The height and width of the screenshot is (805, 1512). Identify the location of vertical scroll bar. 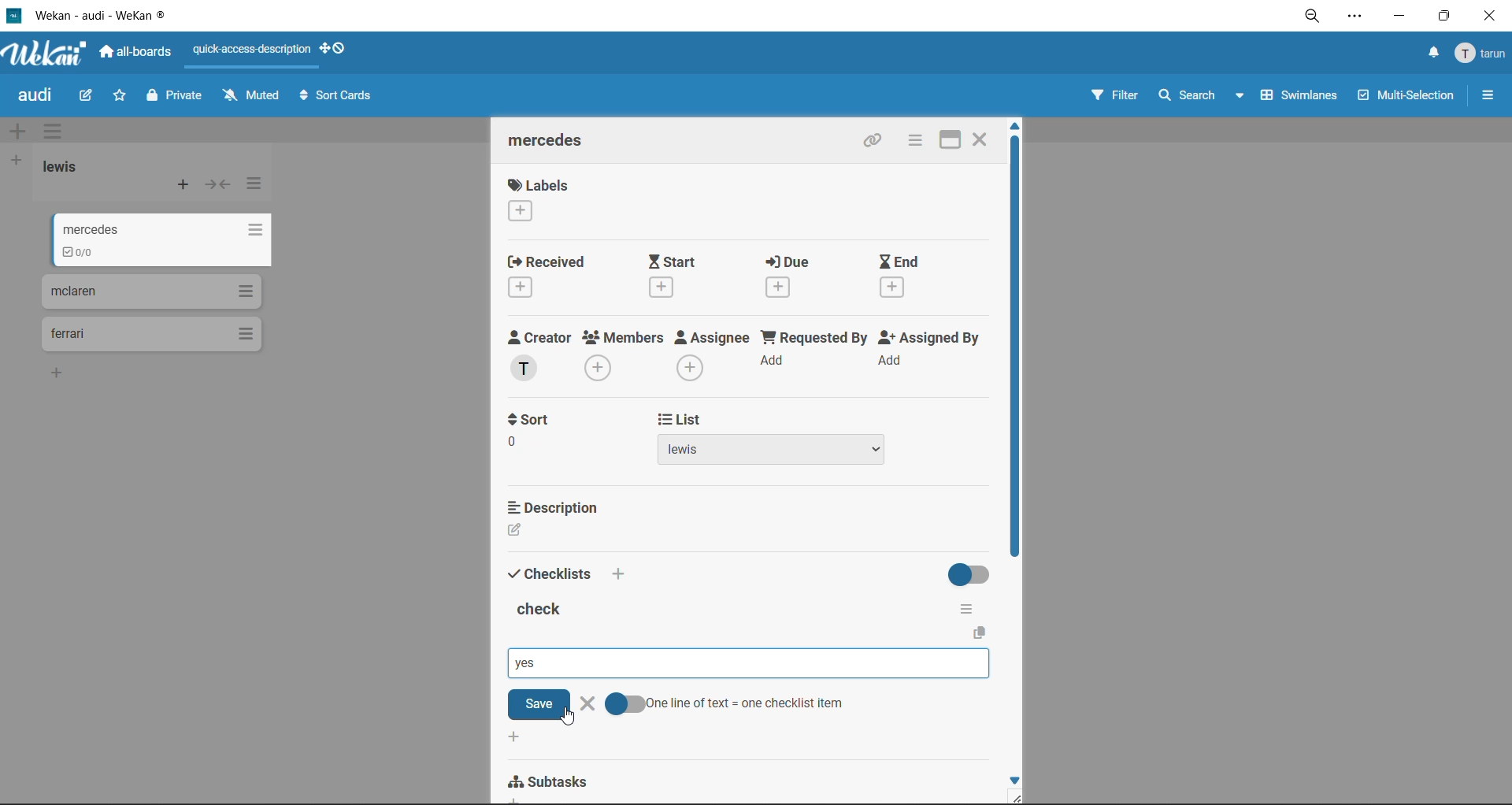
(1014, 350).